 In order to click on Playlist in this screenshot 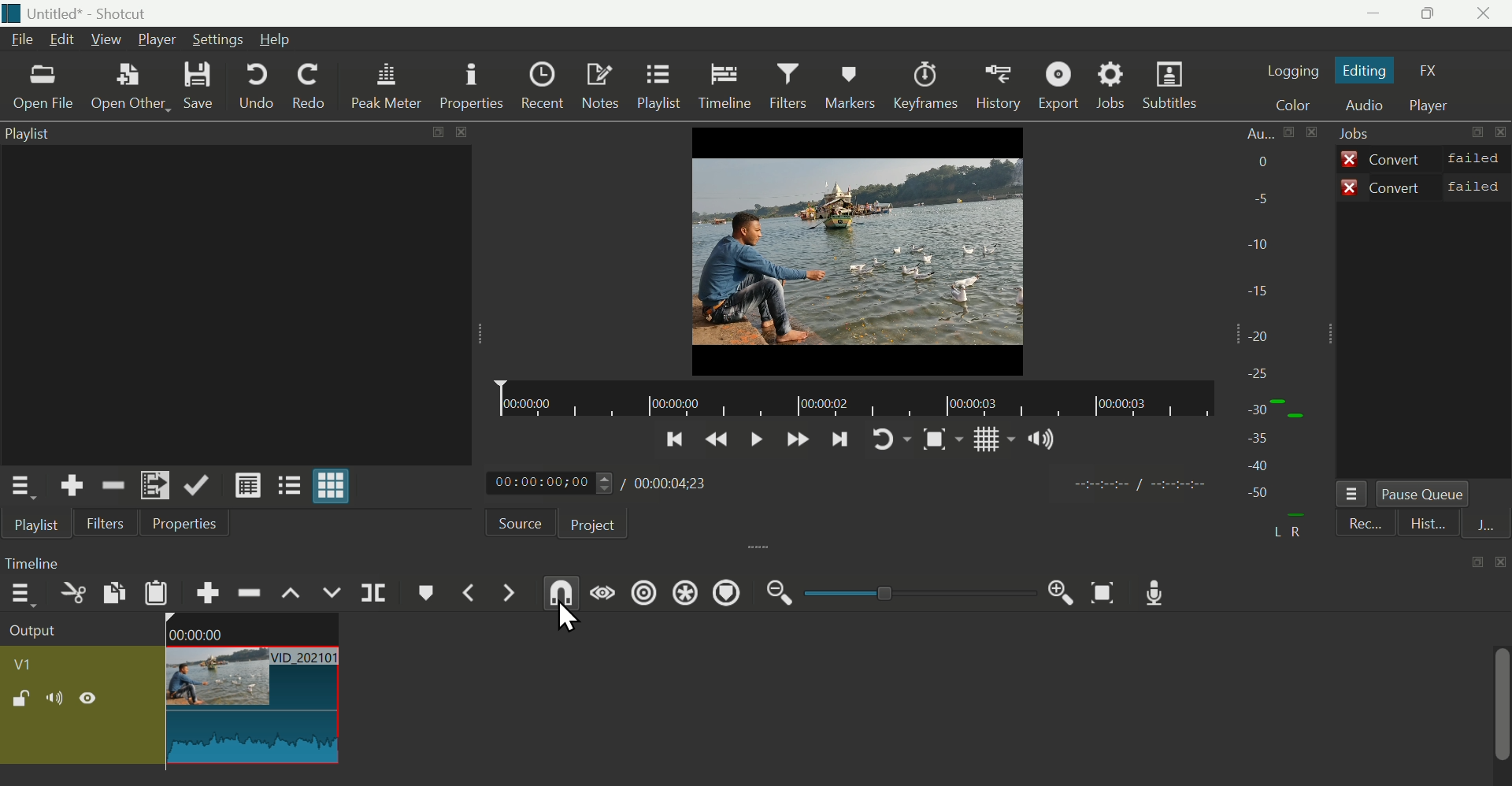, I will do `click(35, 528)`.